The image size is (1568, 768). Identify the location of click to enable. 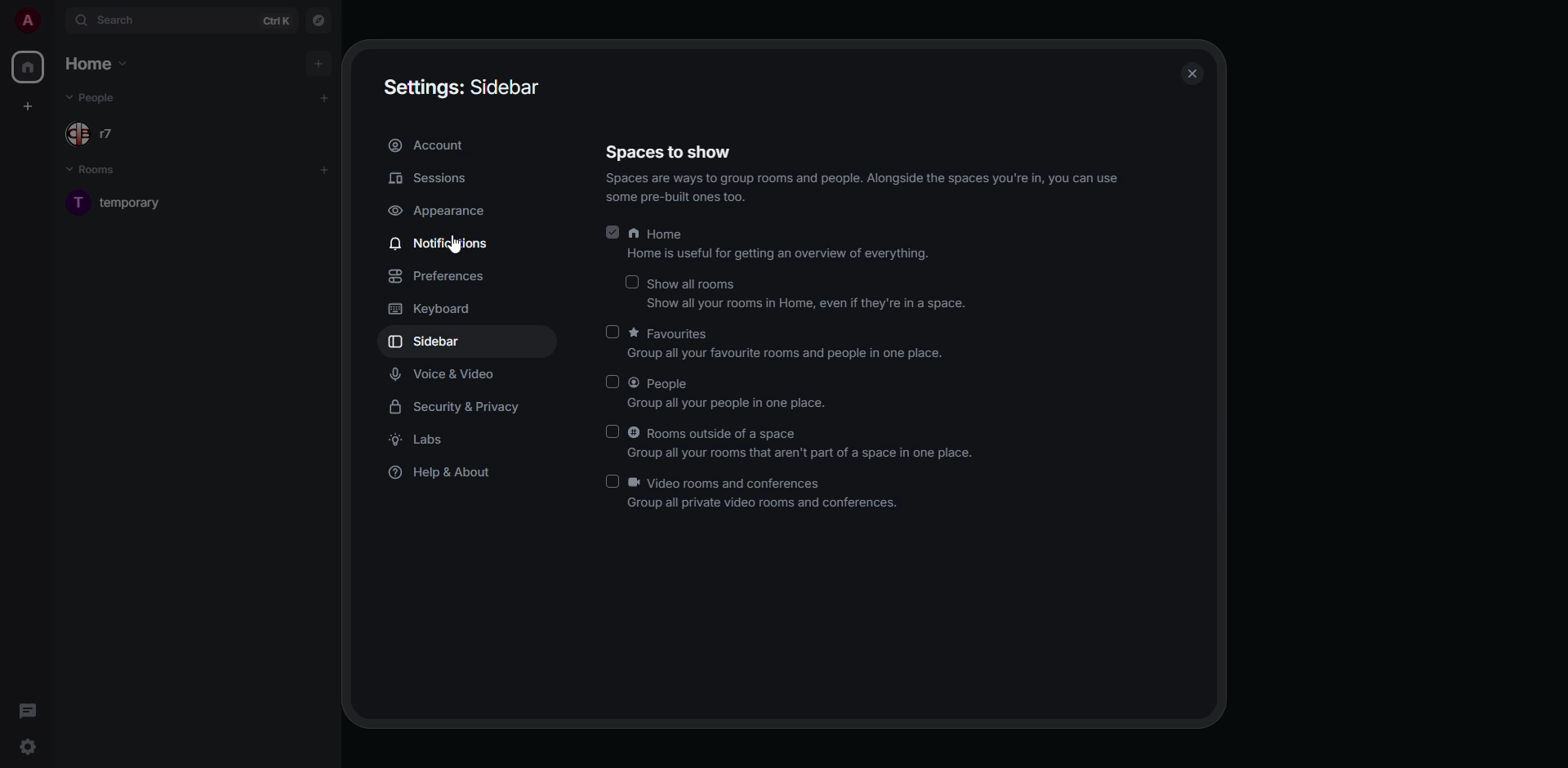
(611, 333).